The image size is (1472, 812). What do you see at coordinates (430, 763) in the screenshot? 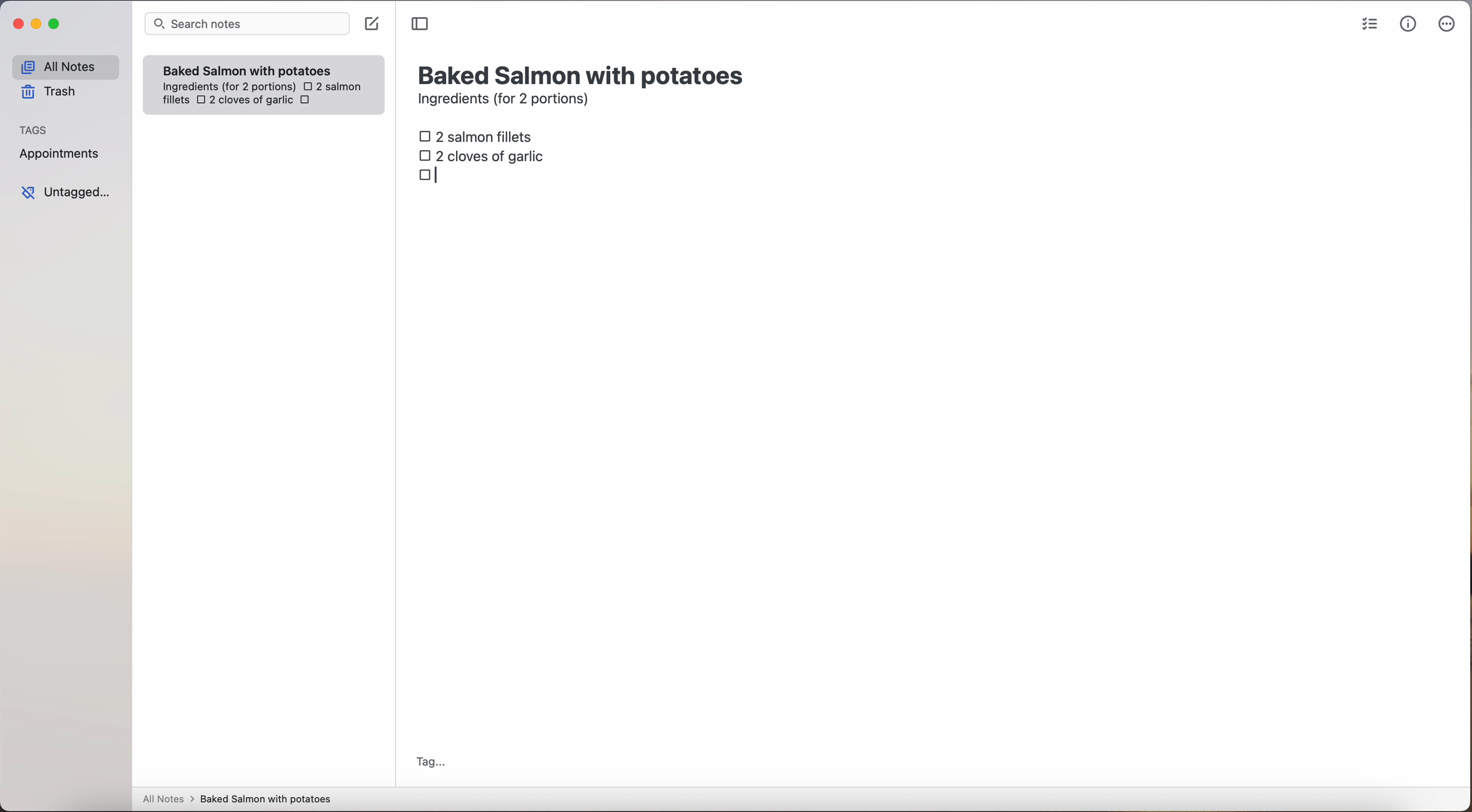
I see `tag` at bounding box center [430, 763].